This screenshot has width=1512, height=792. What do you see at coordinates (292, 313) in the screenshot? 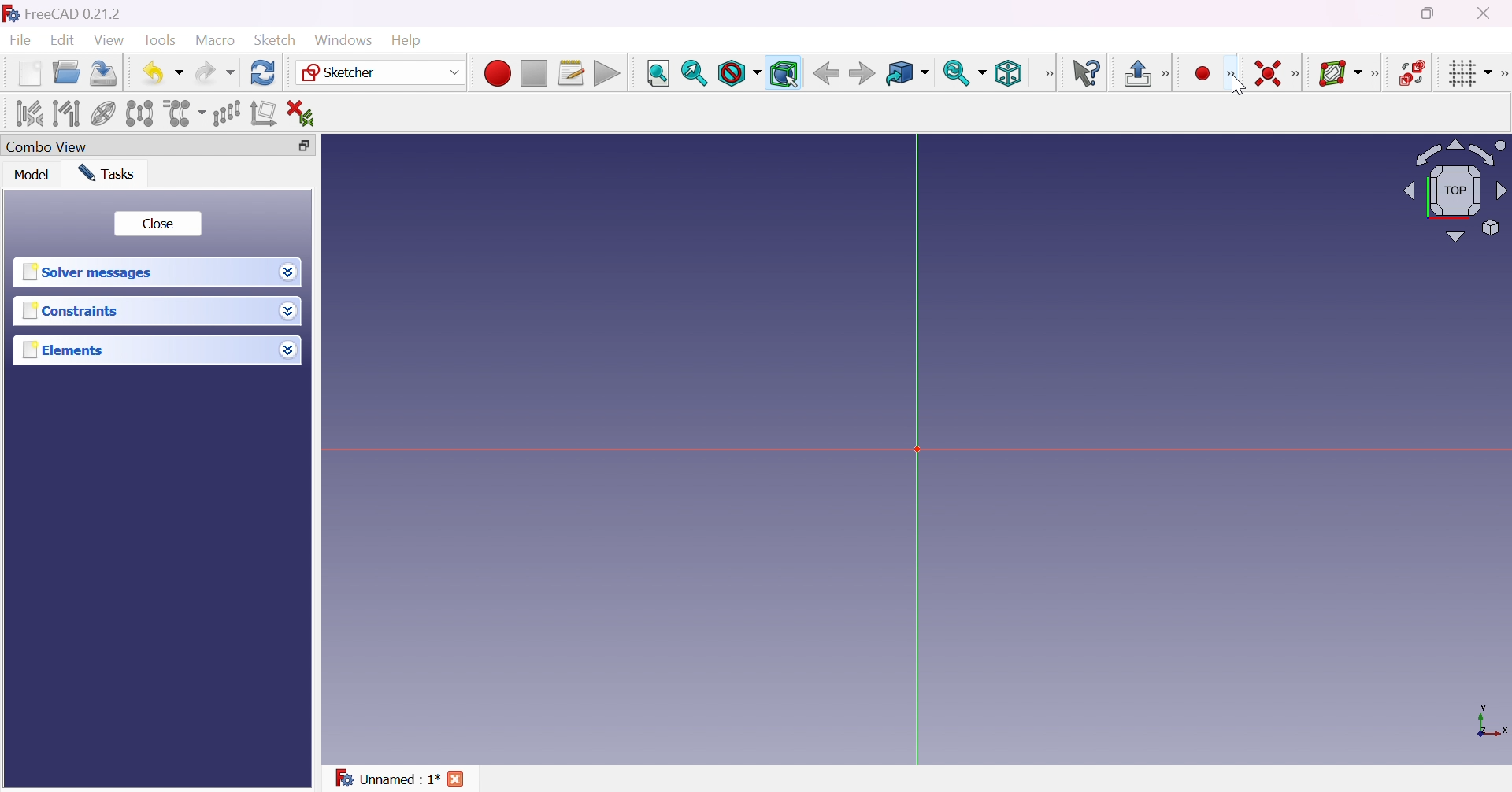
I see `Drop down` at bounding box center [292, 313].